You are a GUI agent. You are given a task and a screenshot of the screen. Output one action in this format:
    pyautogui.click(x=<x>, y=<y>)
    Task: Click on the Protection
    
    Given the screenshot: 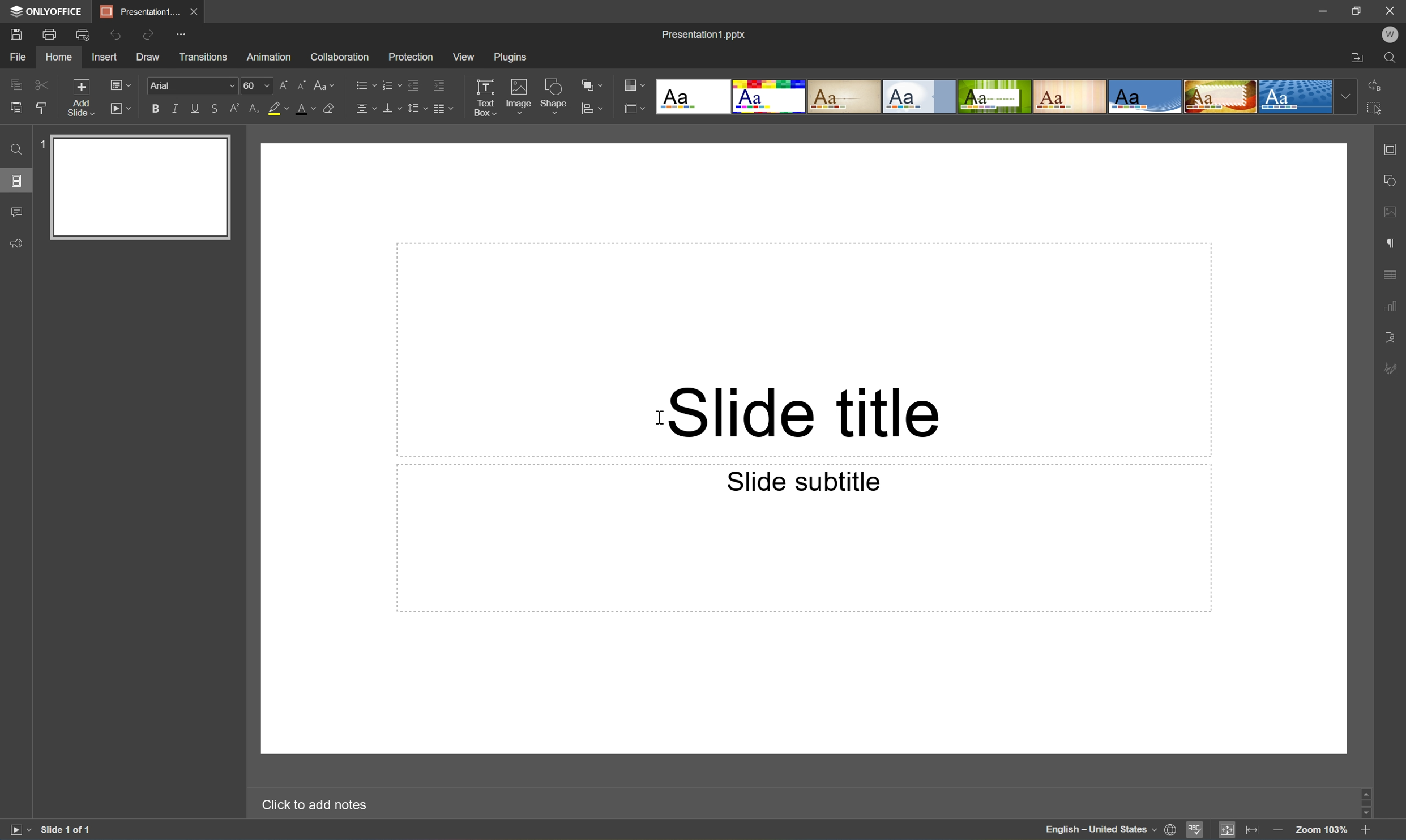 What is the action you would take?
    pyautogui.click(x=409, y=56)
    